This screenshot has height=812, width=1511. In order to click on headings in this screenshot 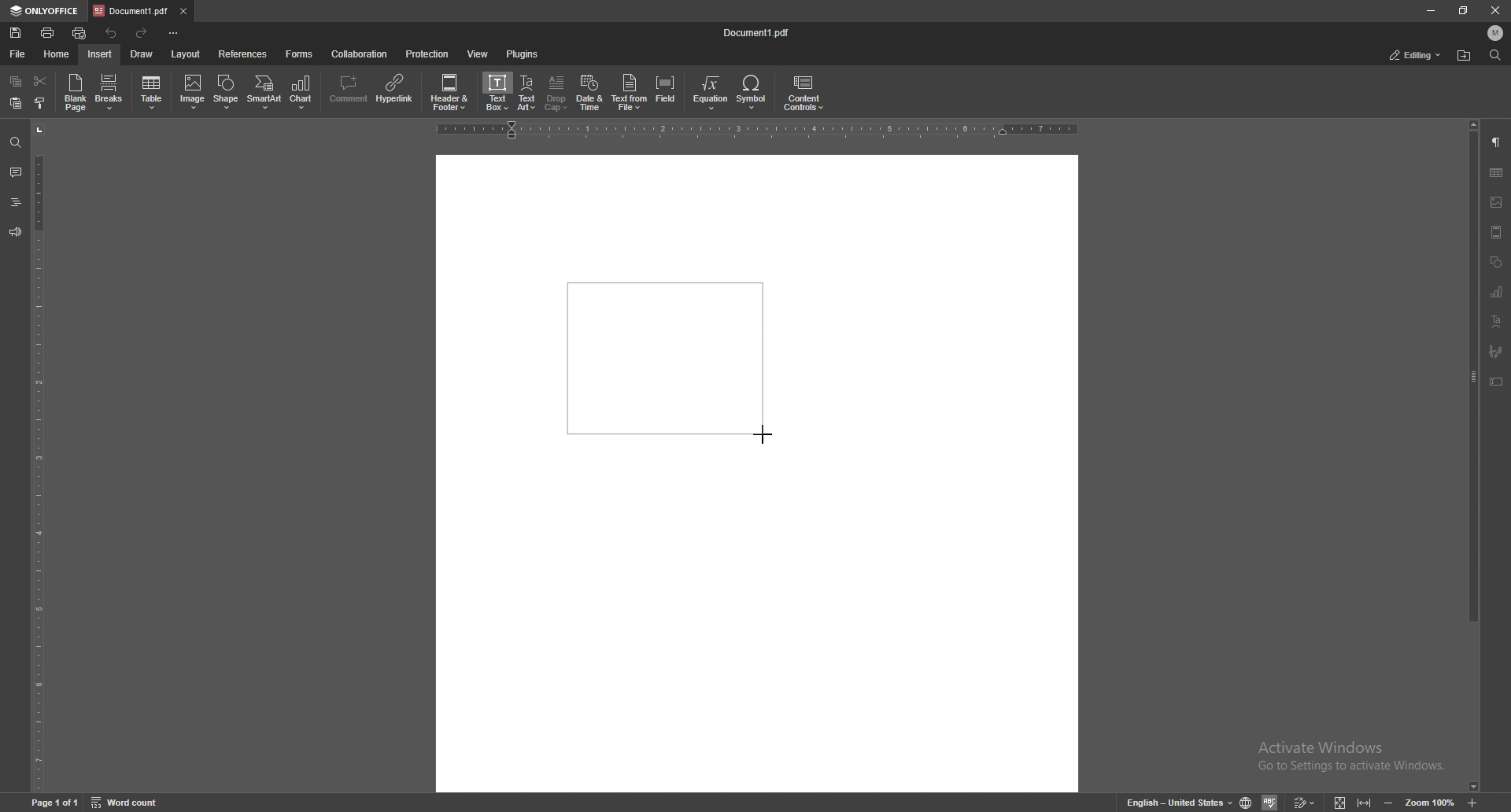, I will do `click(15, 202)`.